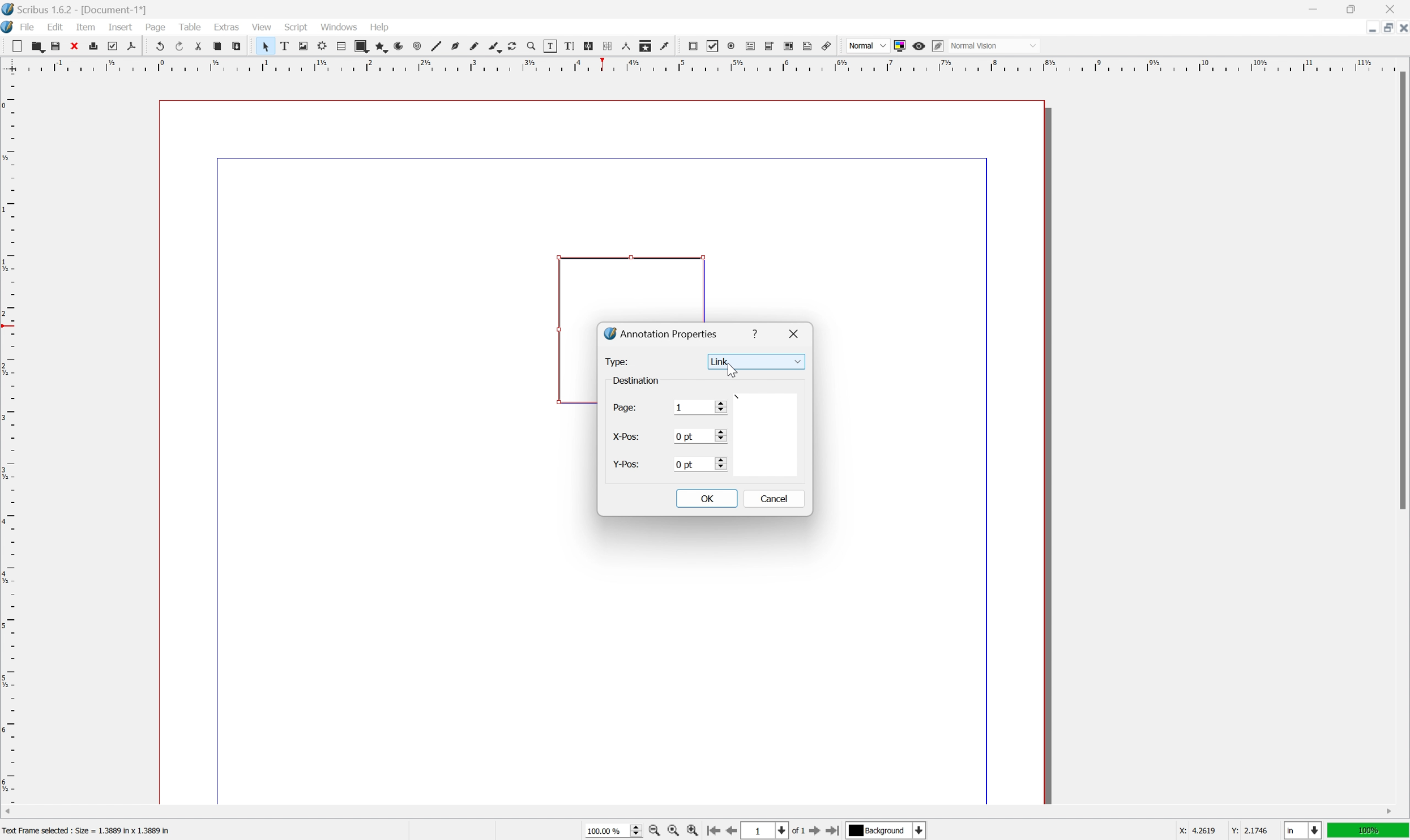 This screenshot has width=1410, height=840. What do you see at coordinates (93, 45) in the screenshot?
I see `print` at bounding box center [93, 45].